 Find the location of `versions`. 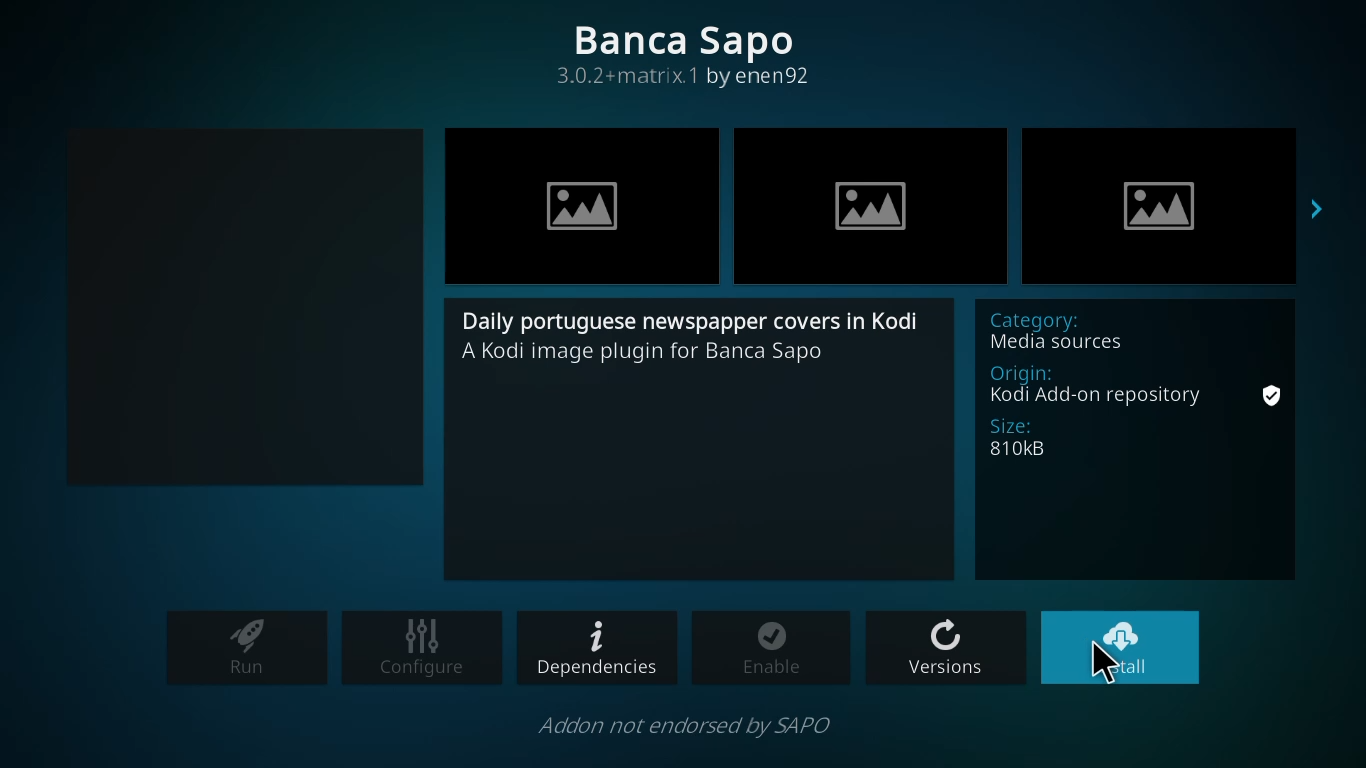

versions is located at coordinates (945, 647).